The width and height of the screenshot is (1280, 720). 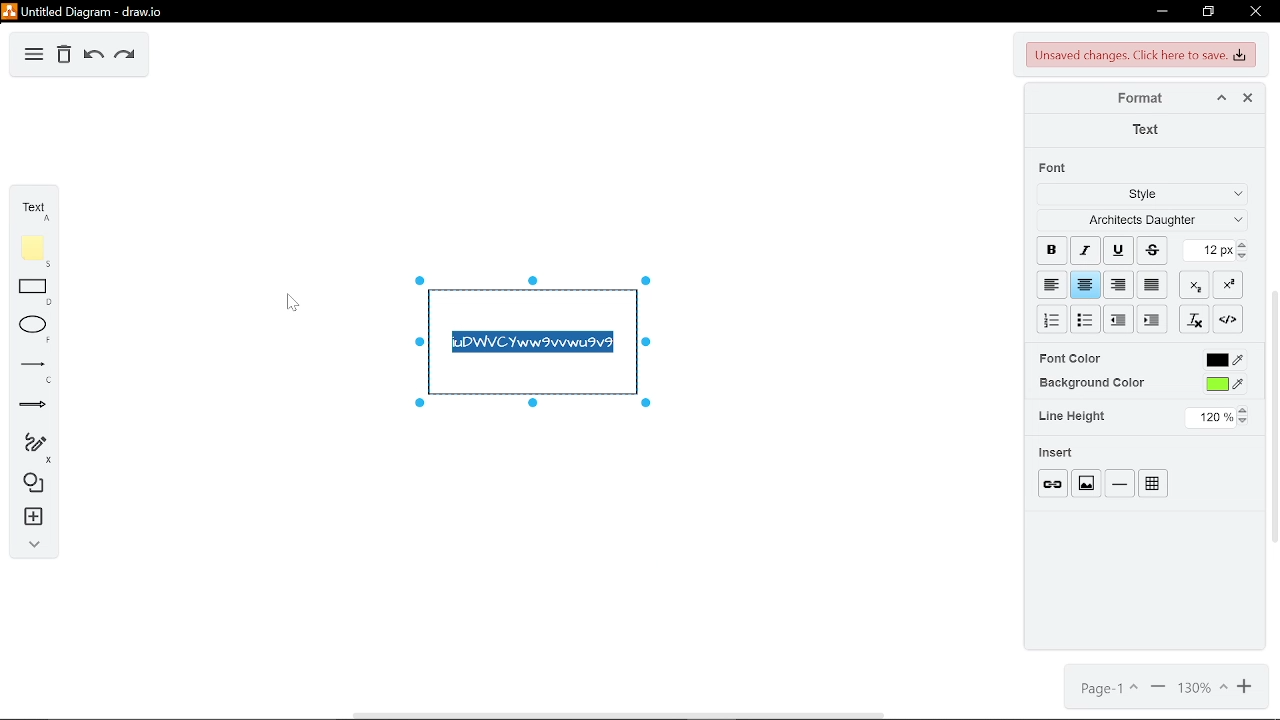 I want to click on numbered list, so click(x=1052, y=319).